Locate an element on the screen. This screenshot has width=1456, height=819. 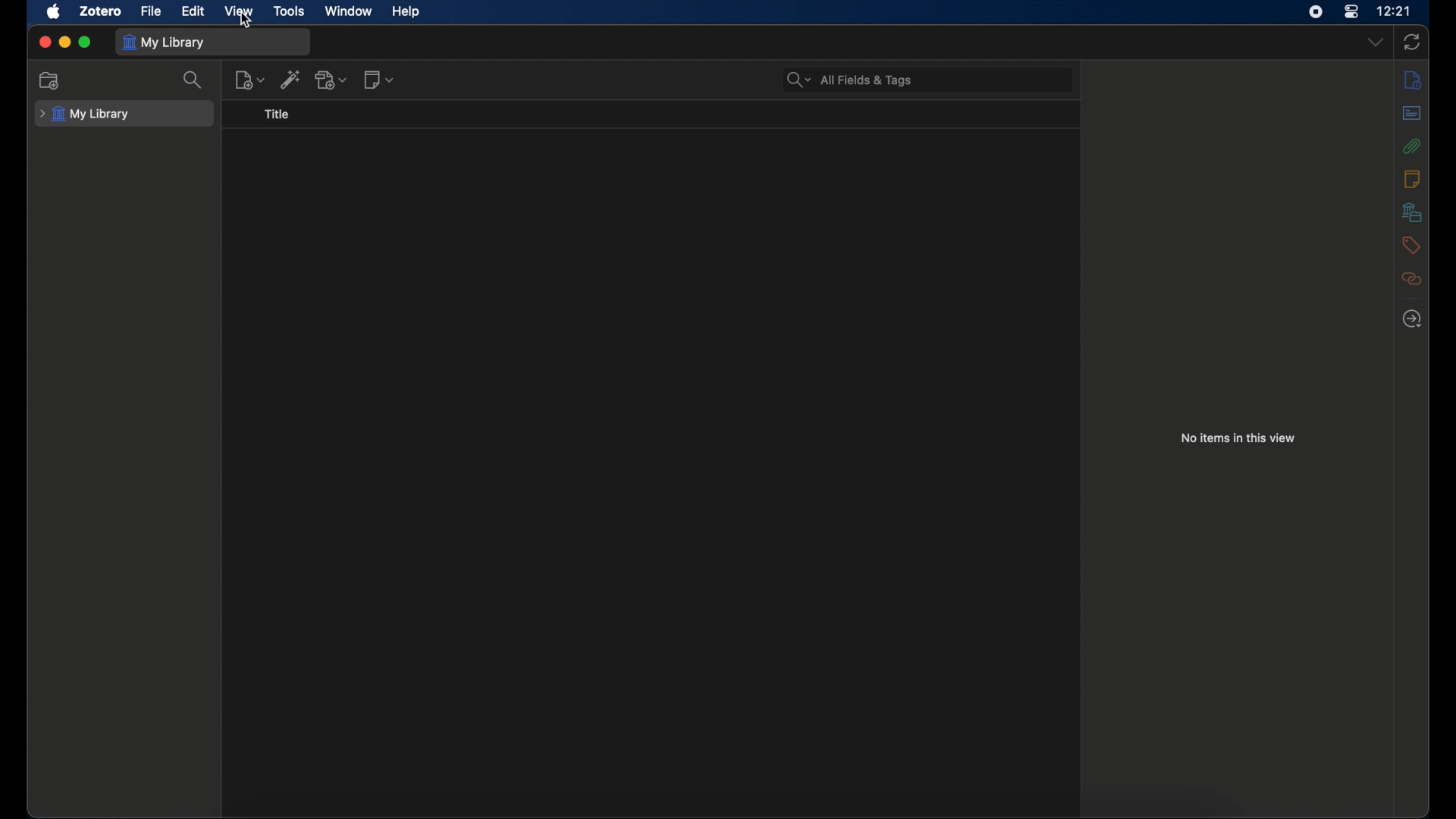
abstract is located at coordinates (1412, 113).